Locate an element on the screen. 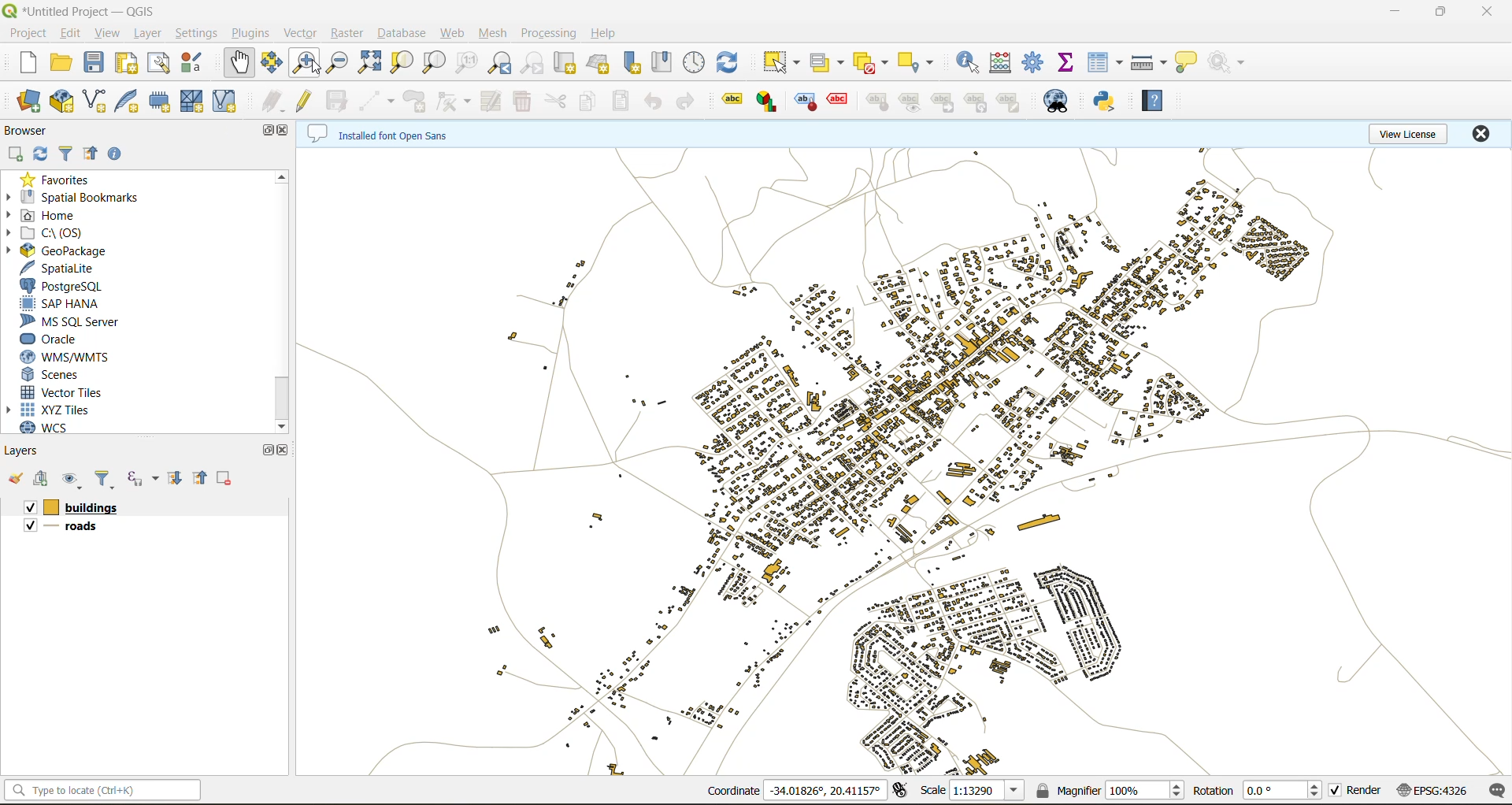 This screenshot has width=1512, height=805. refresh is located at coordinates (41, 154).